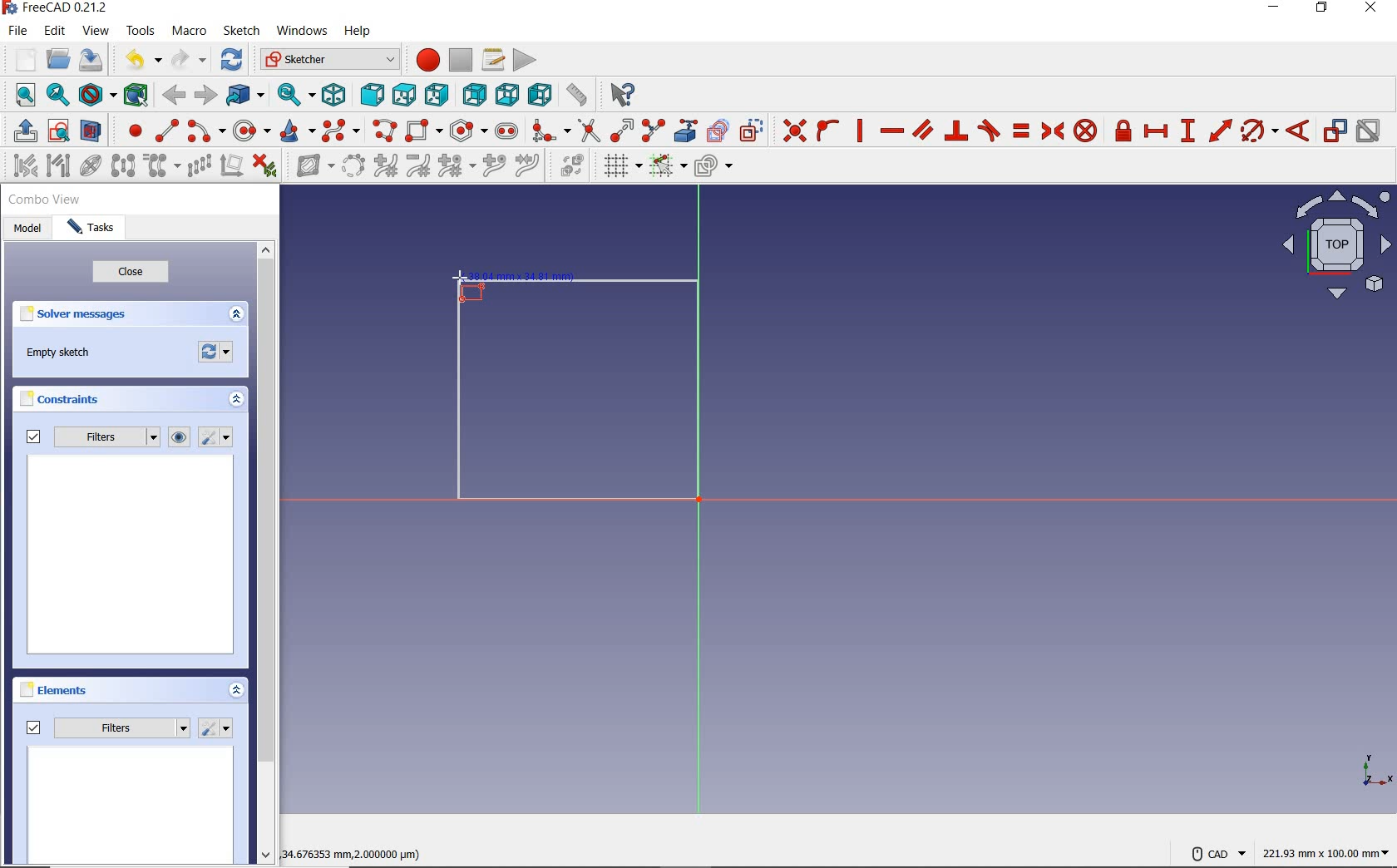 This screenshot has height=868, width=1397. Describe the element at coordinates (93, 230) in the screenshot. I see `tasks` at that location.